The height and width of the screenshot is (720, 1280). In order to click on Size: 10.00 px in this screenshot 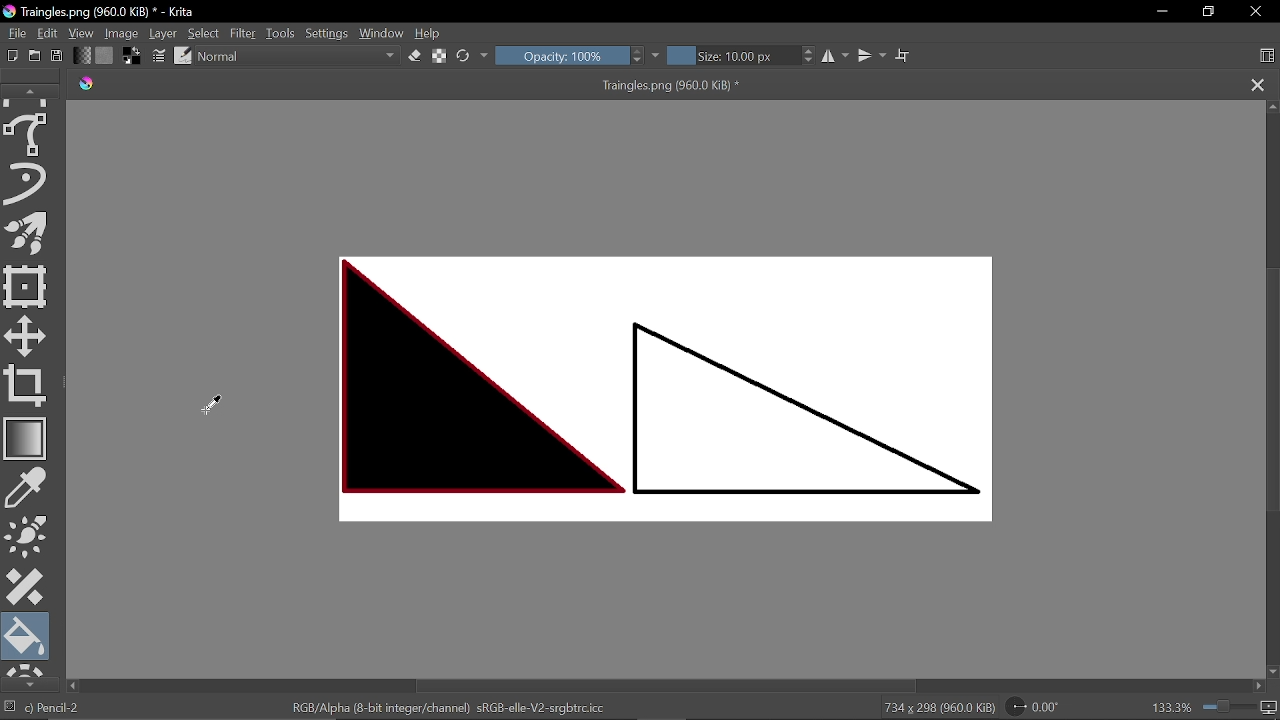, I will do `click(741, 56)`.